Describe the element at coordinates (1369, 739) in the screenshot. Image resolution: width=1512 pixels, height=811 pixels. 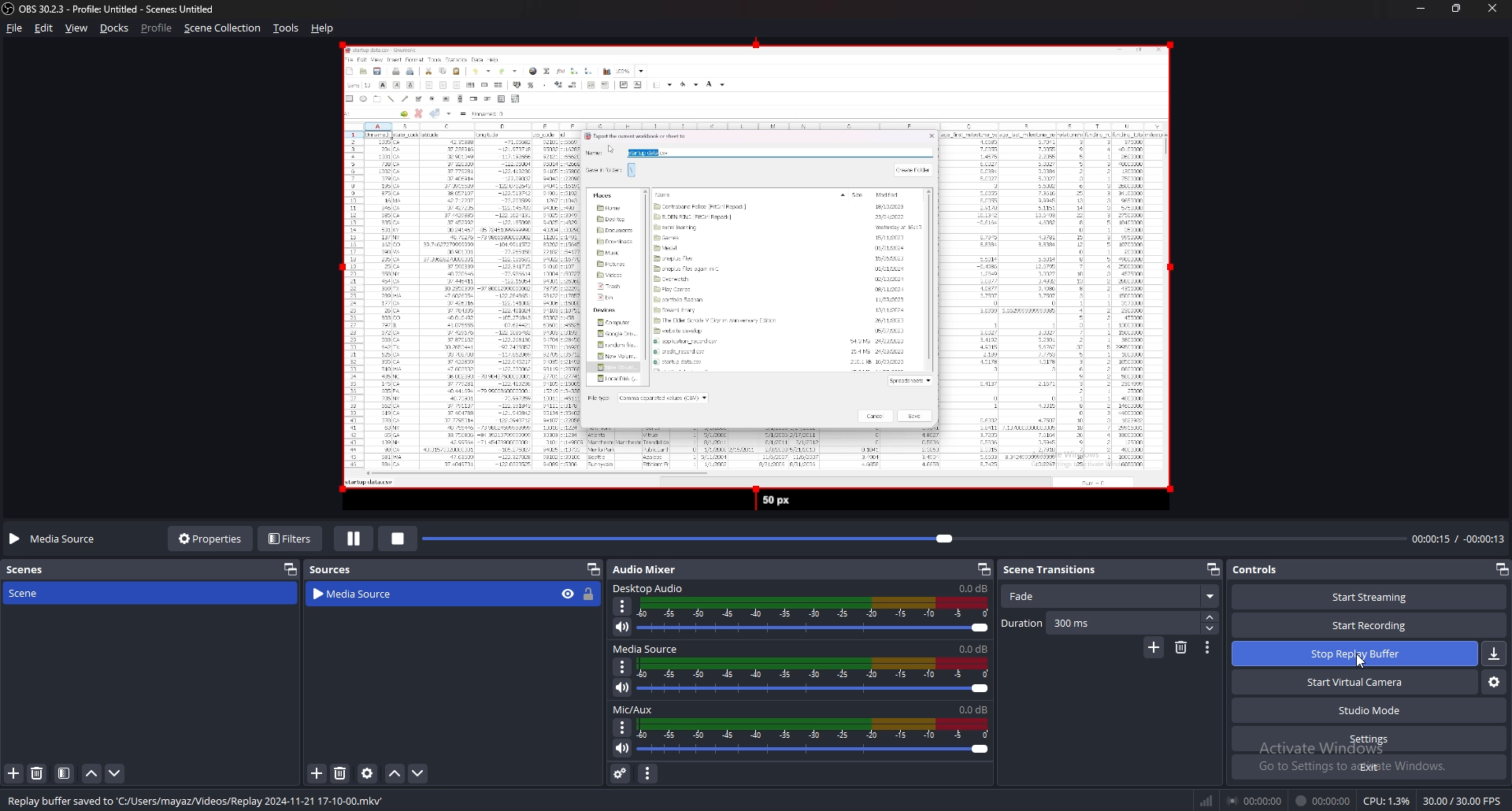
I see `settings` at that location.